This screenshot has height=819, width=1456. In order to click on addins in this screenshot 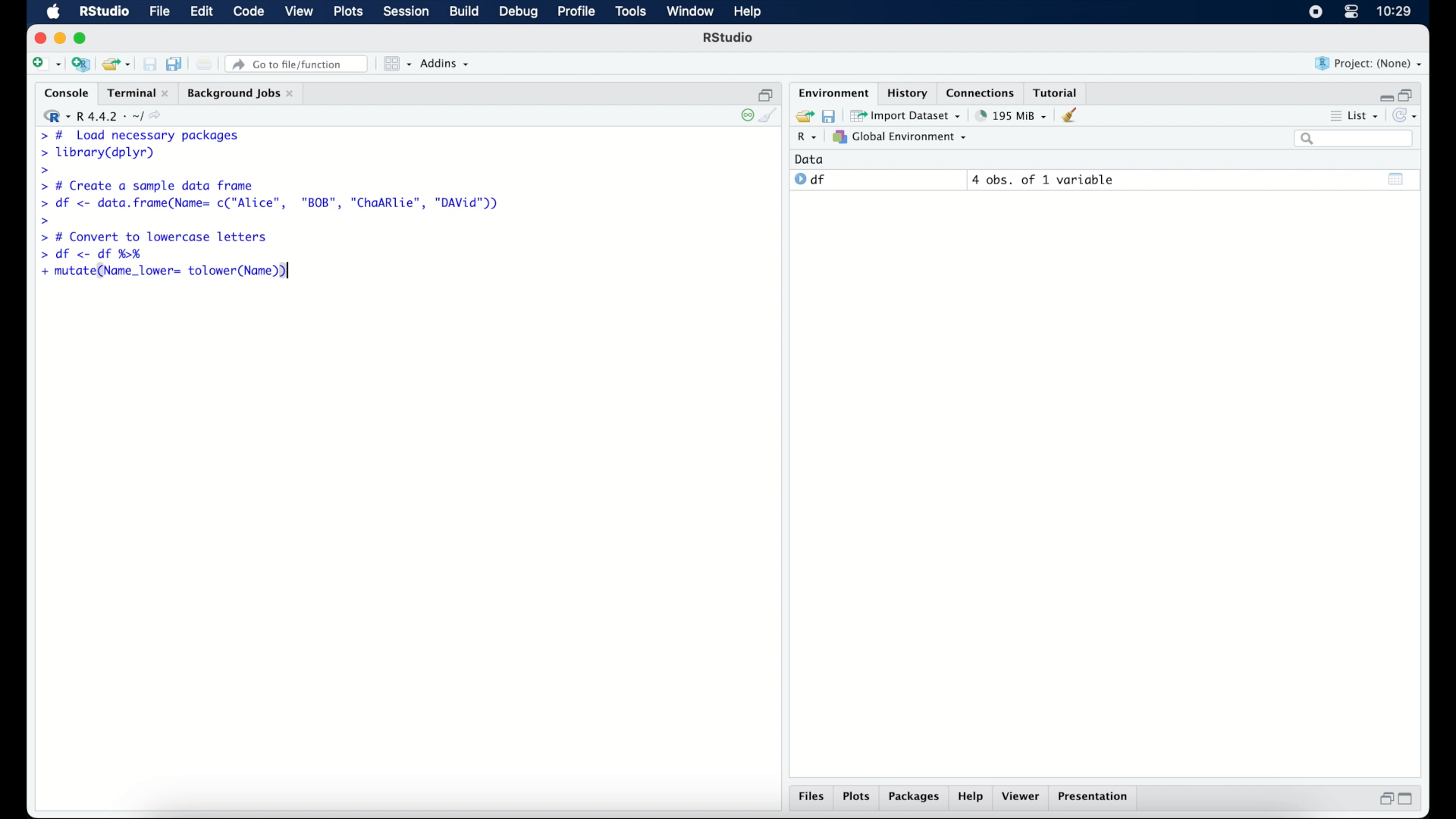, I will do `click(445, 64)`.